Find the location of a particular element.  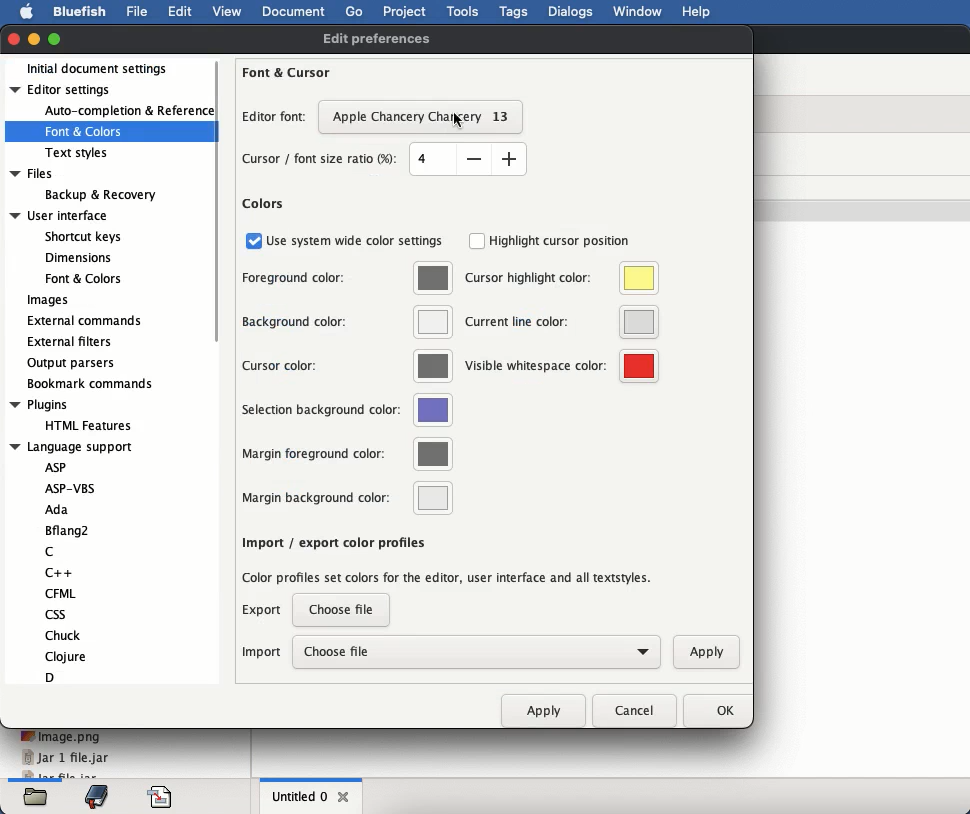

cancel is located at coordinates (632, 710).